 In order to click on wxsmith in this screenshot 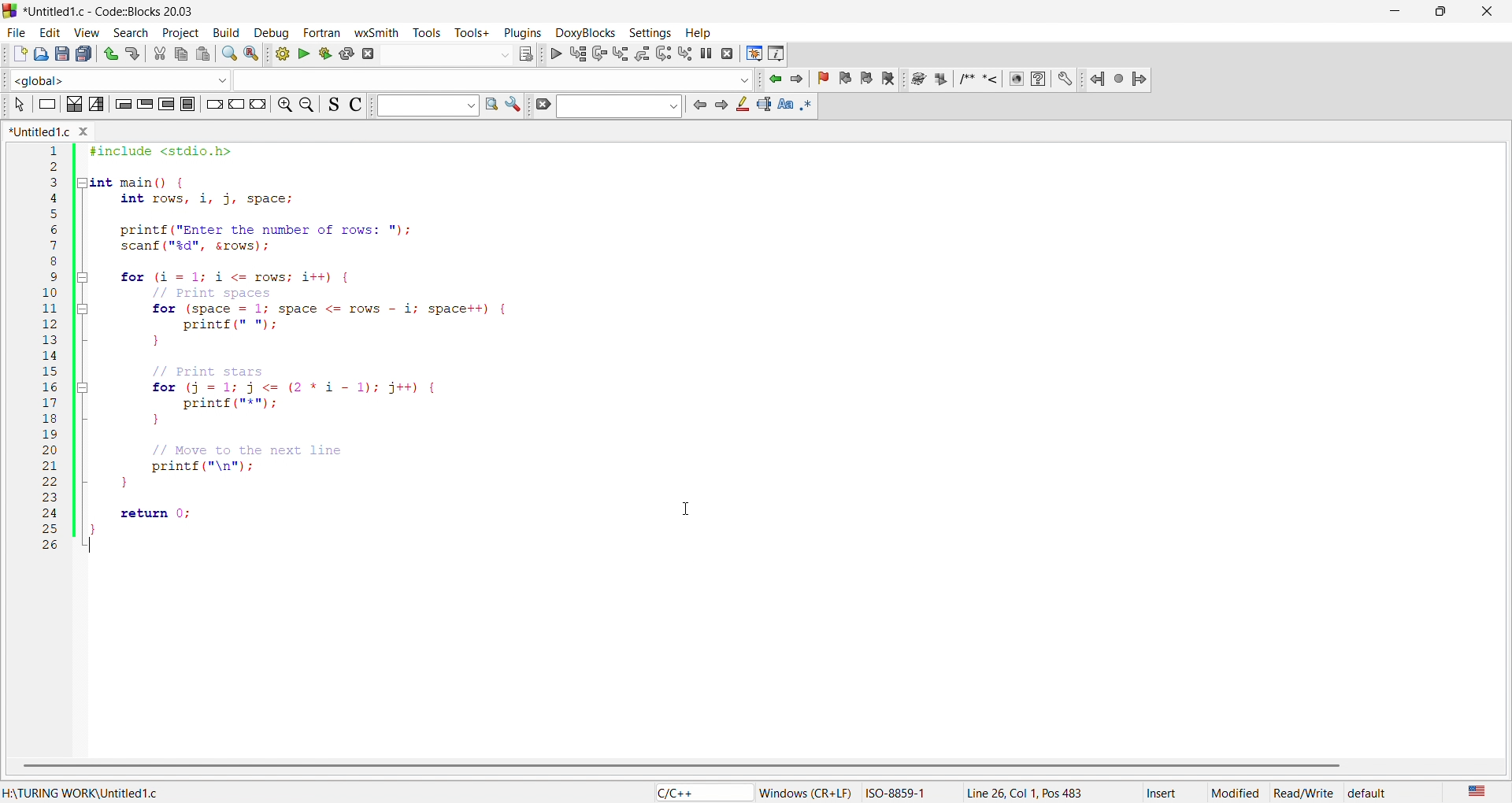, I will do `click(376, 29)`.